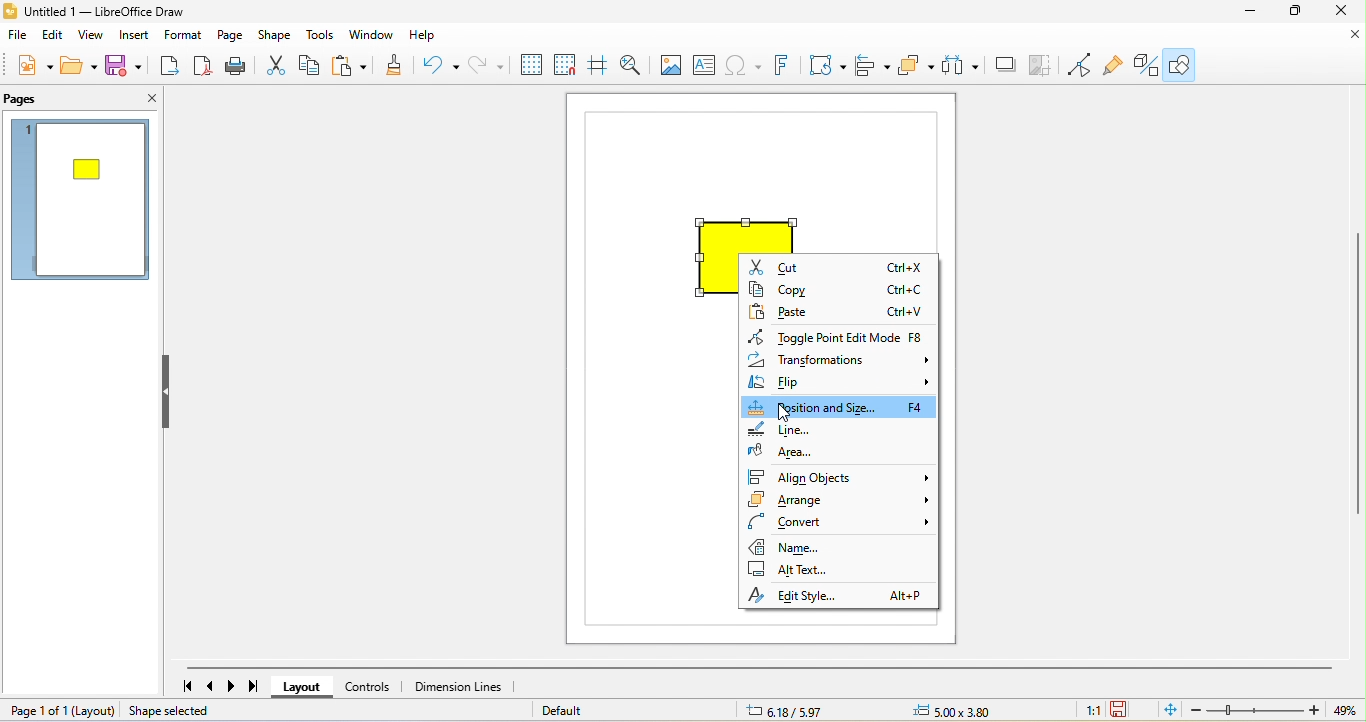  What do you see at coordinates (140, 97) in the screenshot?
I see `close` at bounding box center [140, 97].